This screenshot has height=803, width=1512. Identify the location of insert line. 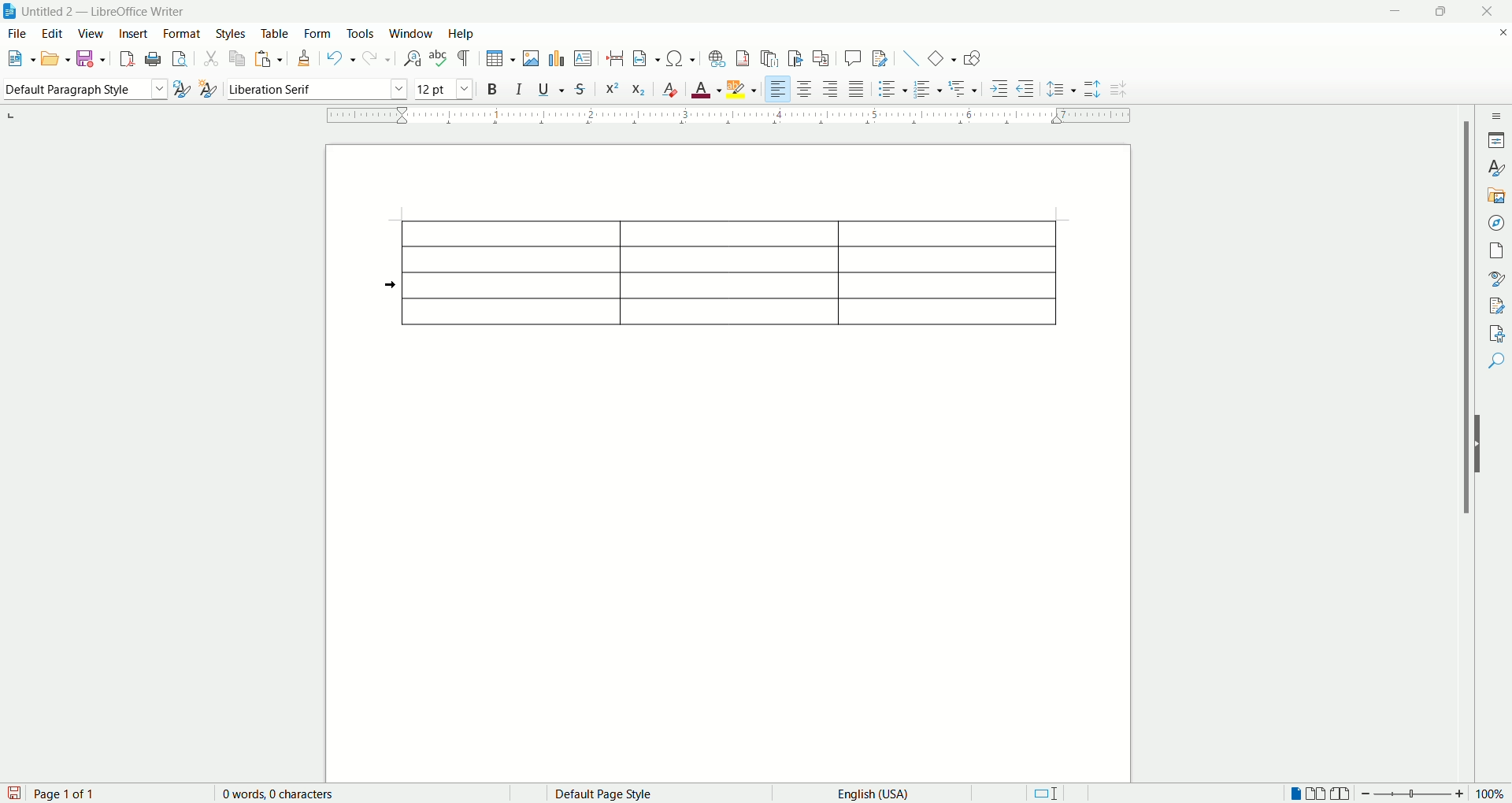
(906, 58).